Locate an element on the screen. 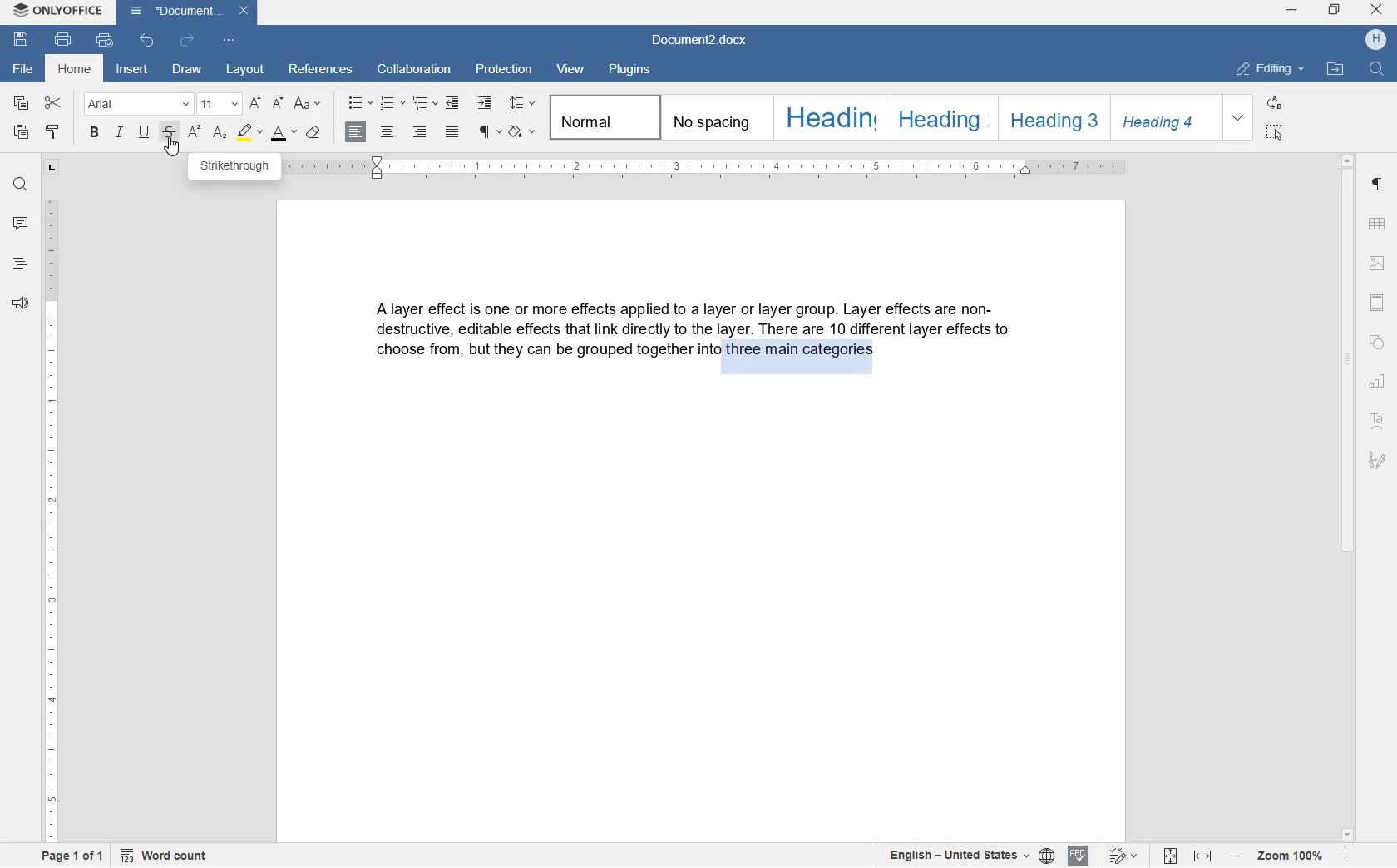 The image size is (1397, 868). scrollbar is located at coordinates (1348, 496).